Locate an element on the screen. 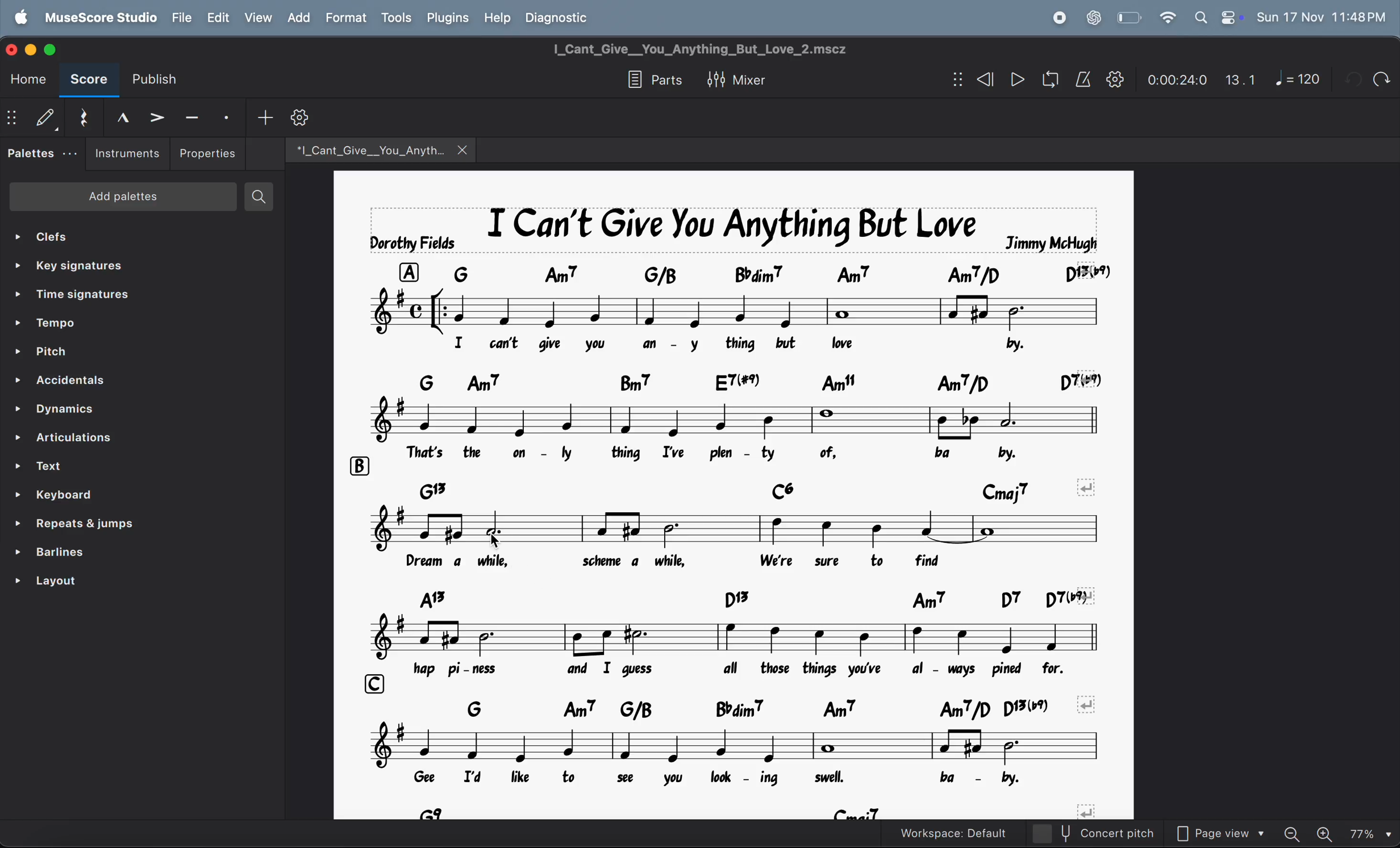 Image resolution: width=1400 pixels, height=848 pixels. 0.00.24.0 is located at coordinates (1176, 81).